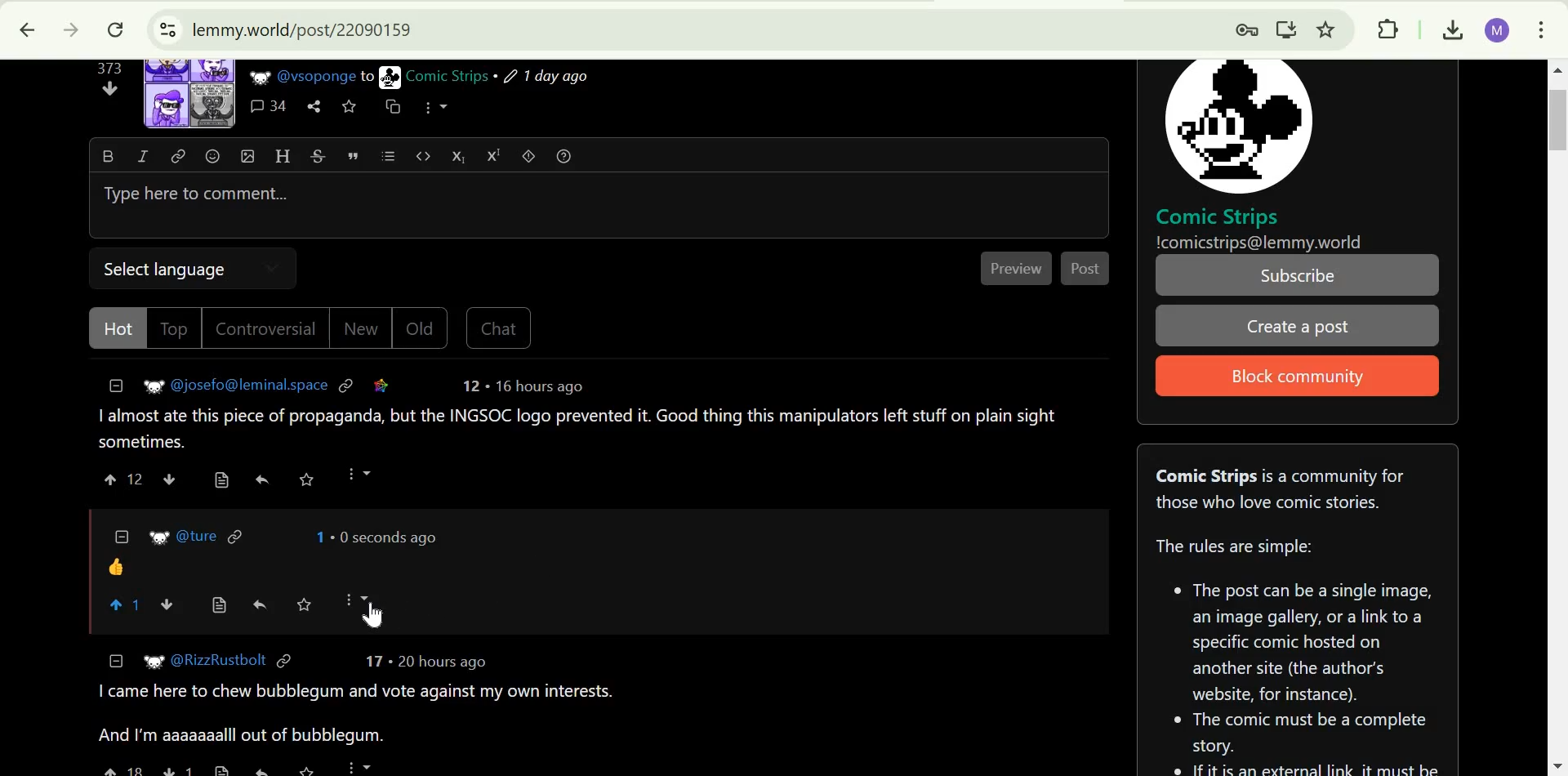 The image size is (1568, 776). Describe the element at coordinates (306, 479) in the screenshot. I see `save` at that location.